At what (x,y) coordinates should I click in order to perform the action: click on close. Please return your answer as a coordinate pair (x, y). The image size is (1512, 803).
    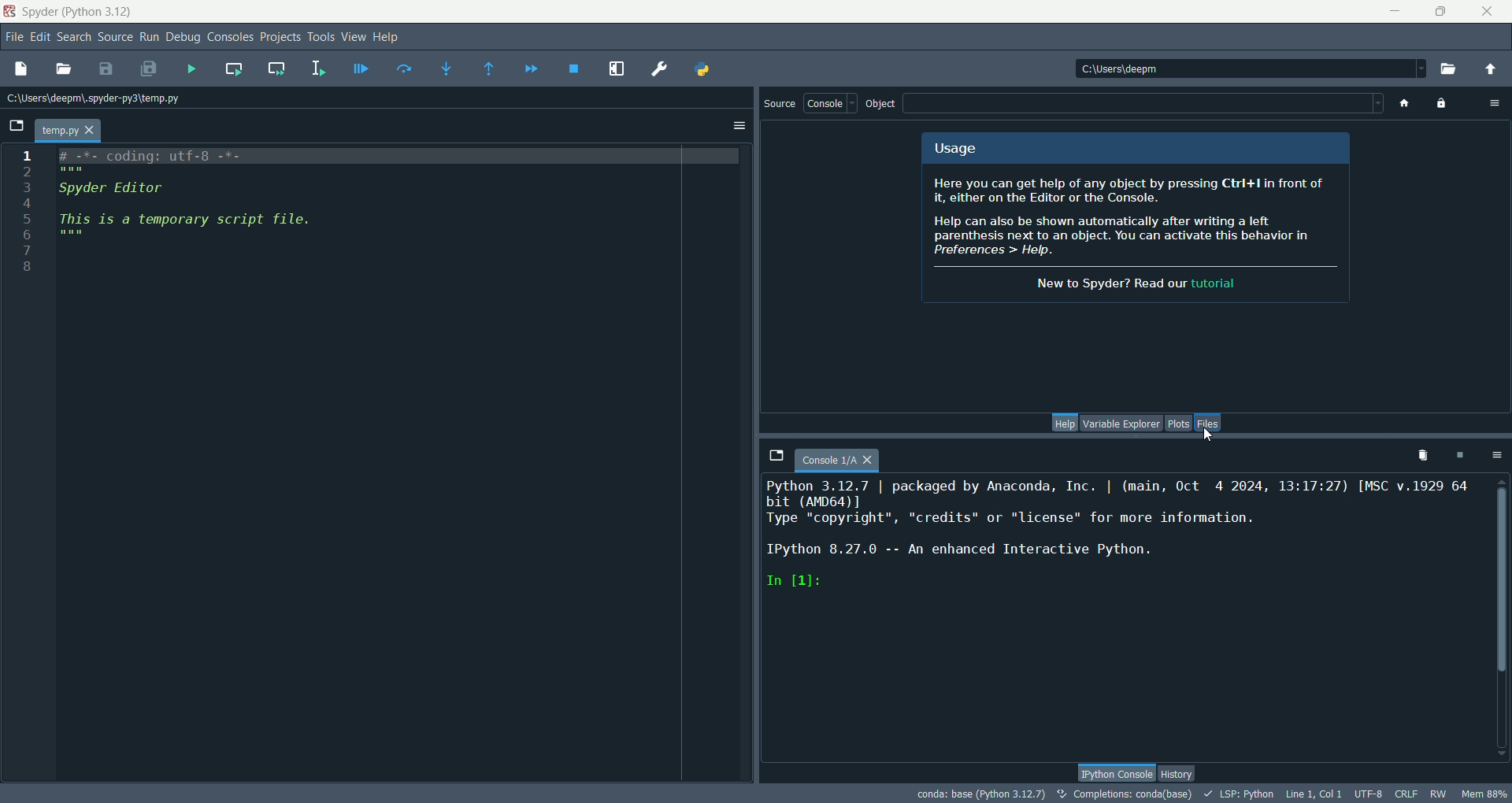
    Looking at the image, I should click on (1486, 14).